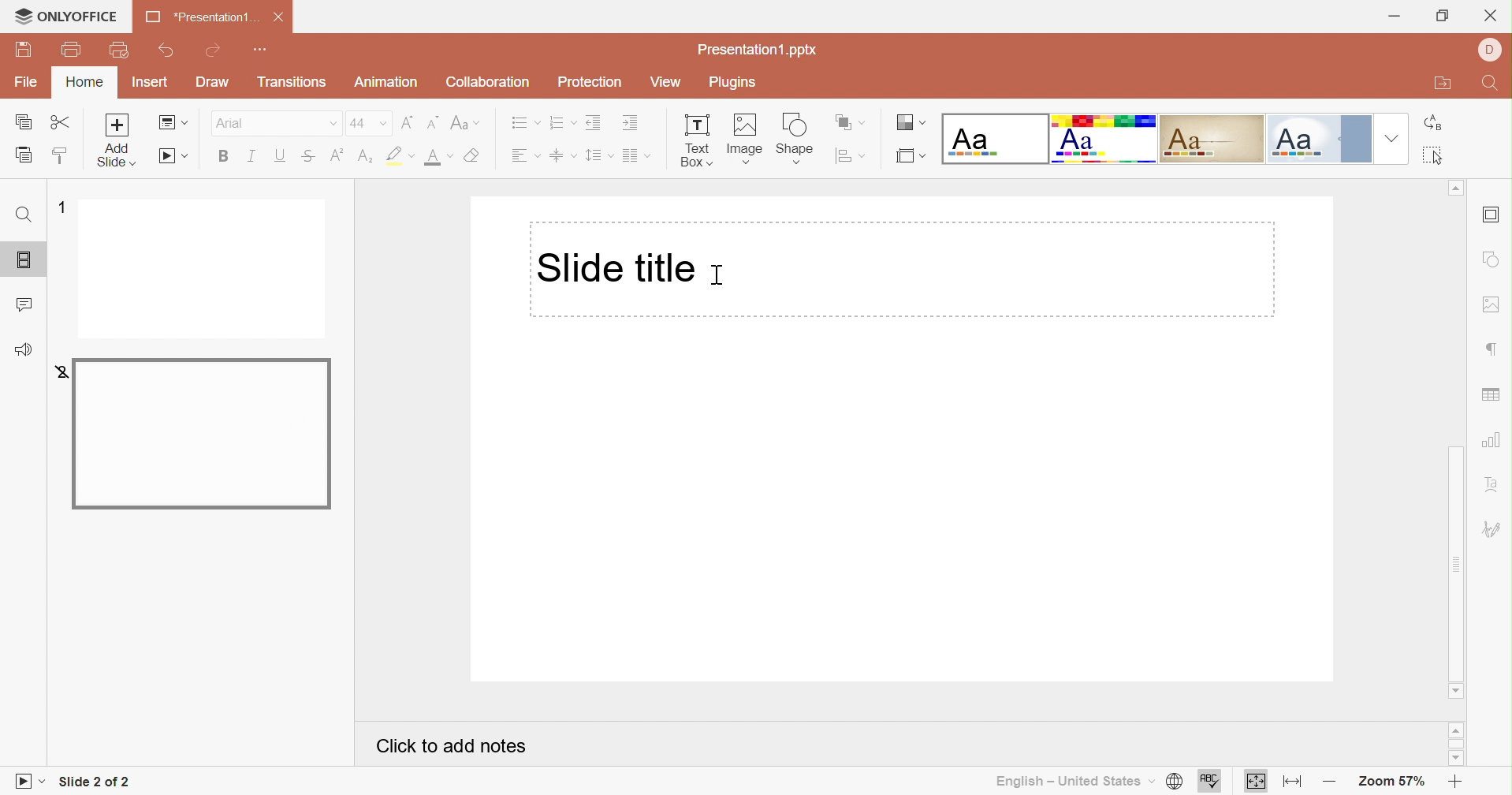 This screenshot has height=795, width=1512. Describe the element at coordinates (1493, 306) in the screenshot. I see `Image settings` at that location.